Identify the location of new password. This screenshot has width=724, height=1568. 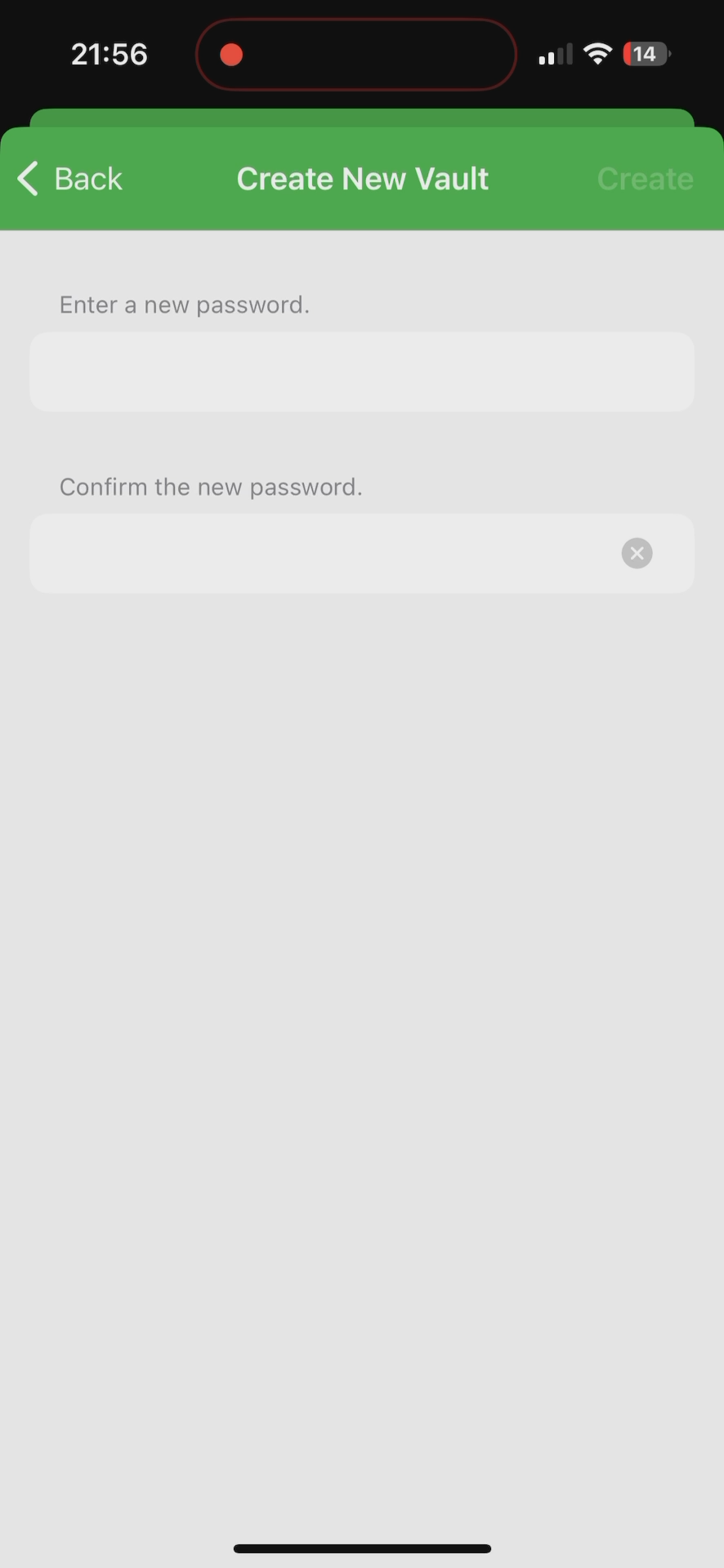
(324, 563).